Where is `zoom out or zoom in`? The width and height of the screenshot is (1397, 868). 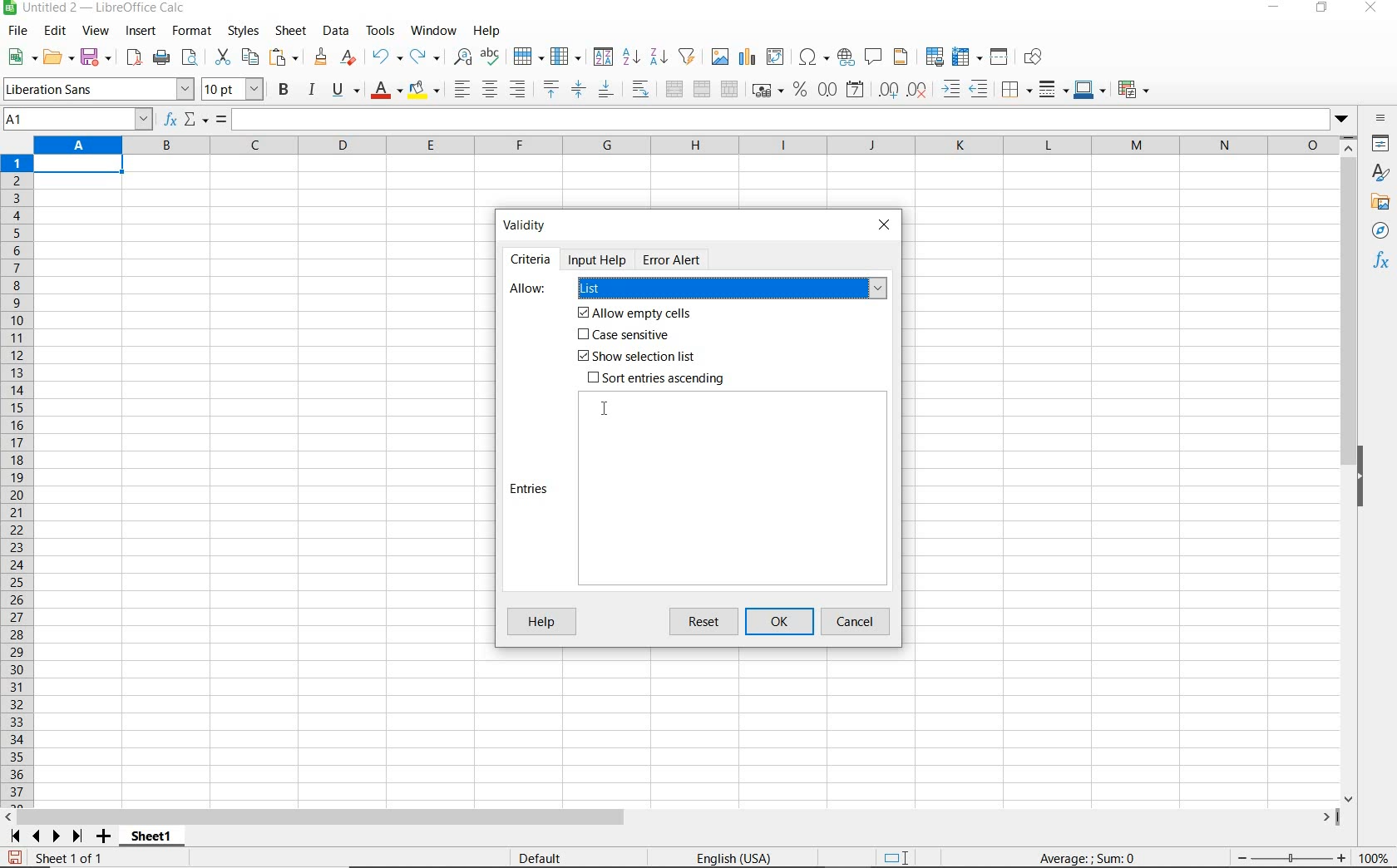 zoom out or zoom in is located at coordinates (1285, 857).